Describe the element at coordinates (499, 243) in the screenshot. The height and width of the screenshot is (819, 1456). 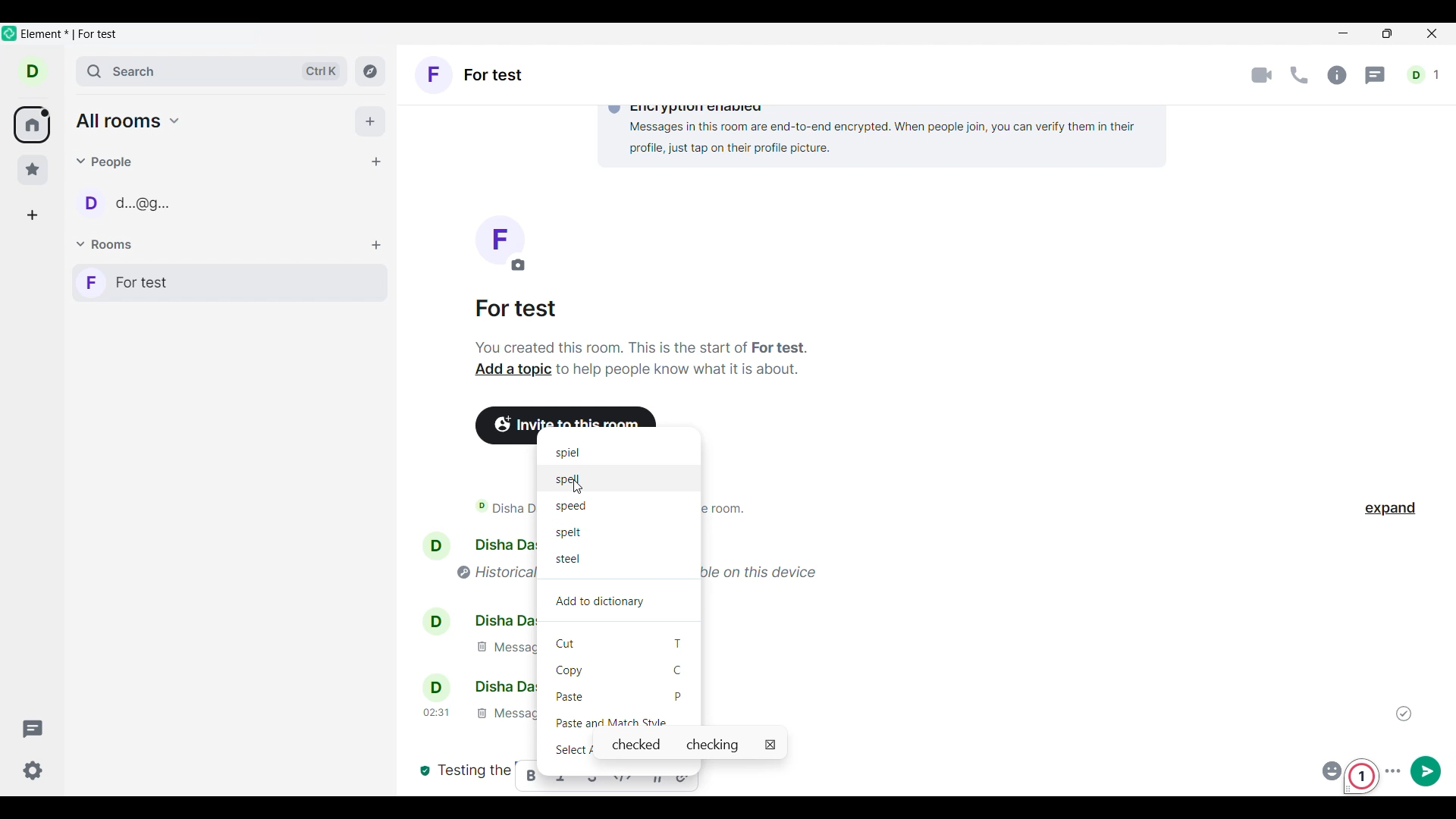
I see `f` at that location.